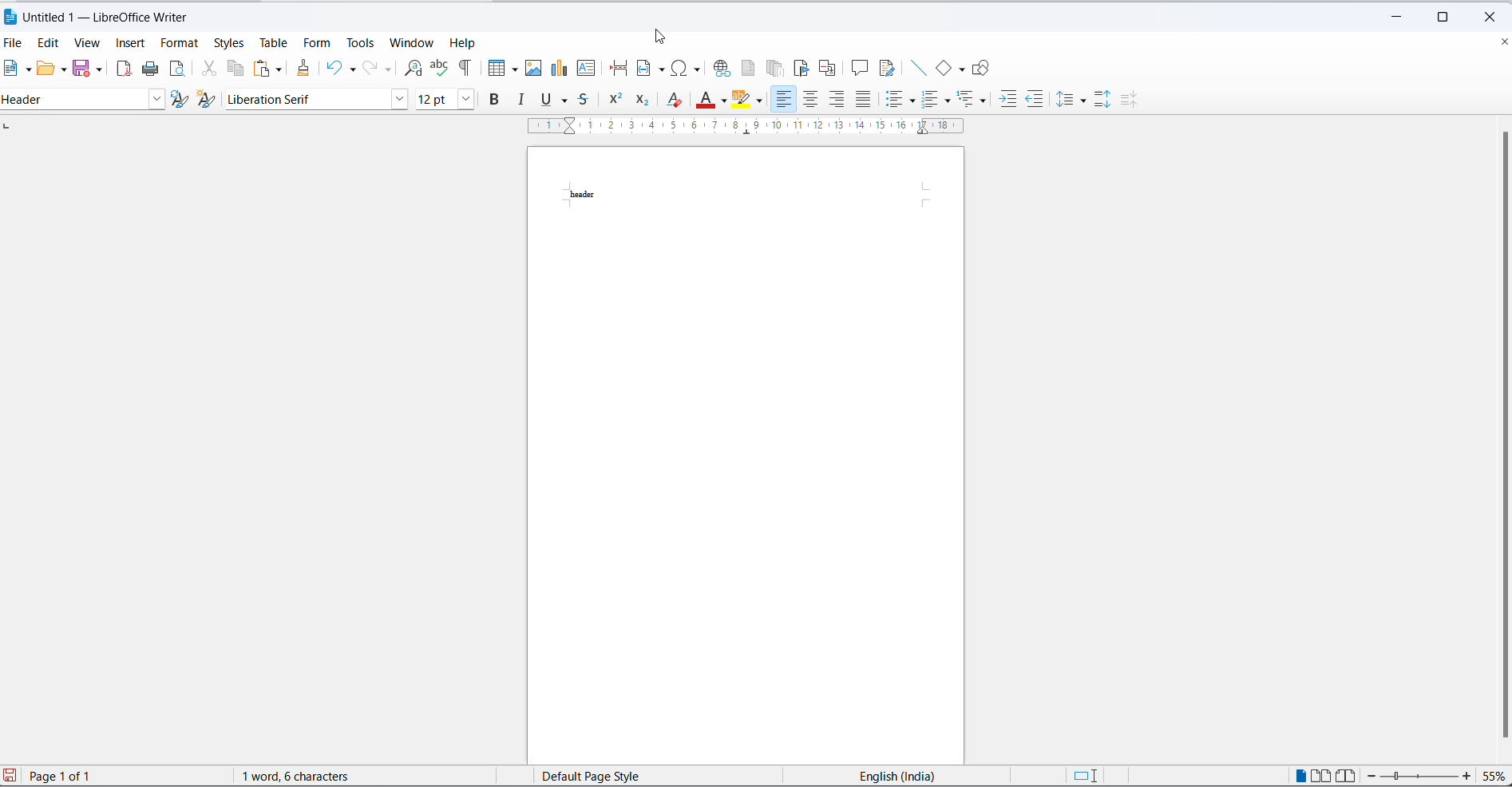 This screenshot has height=787, width=1512. Describe the element at coordinates (759, 130) in the screenshot. I see `scaling` at that location.